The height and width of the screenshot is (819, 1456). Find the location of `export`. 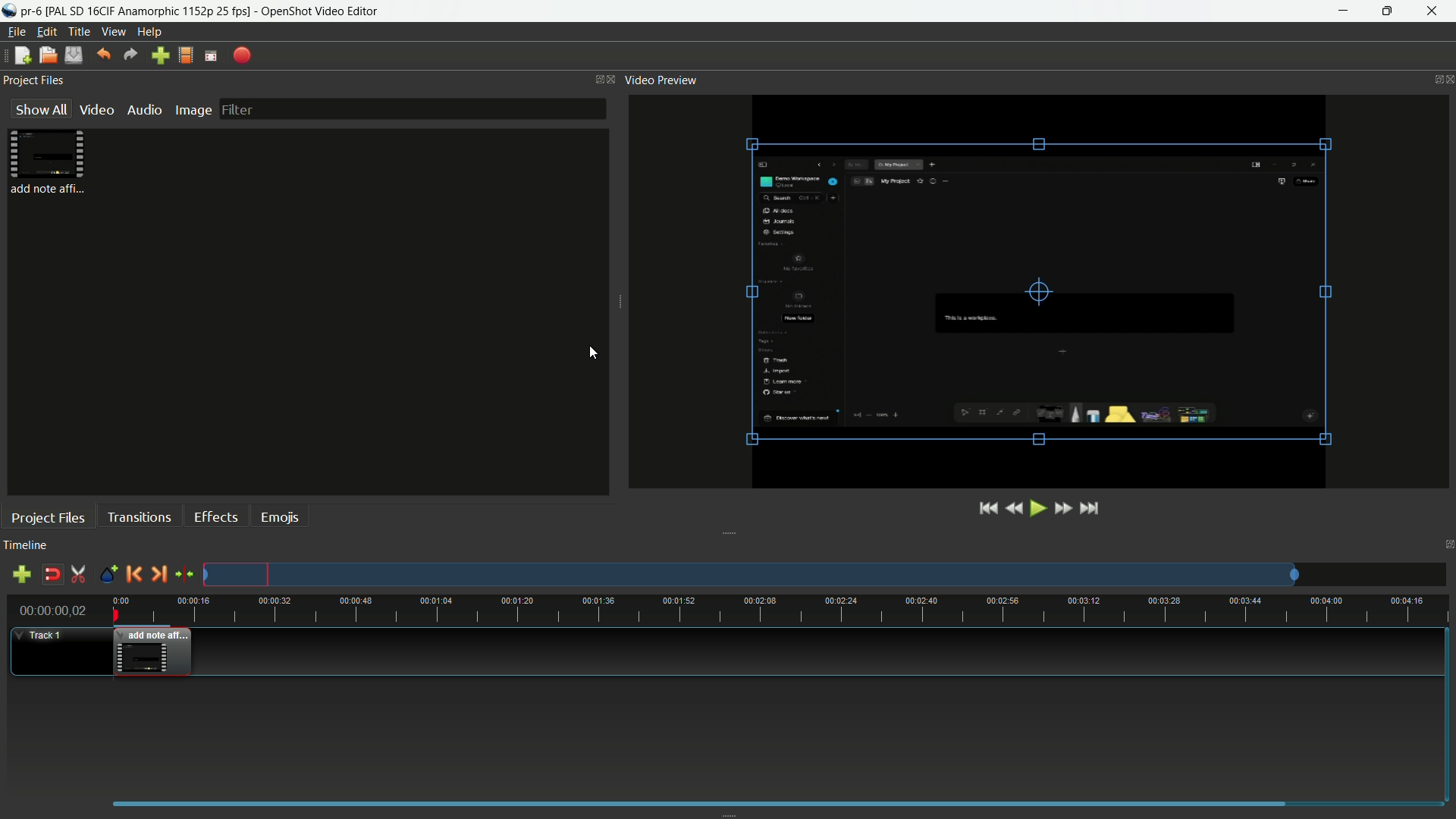

export is located at coordinates (243, 57).